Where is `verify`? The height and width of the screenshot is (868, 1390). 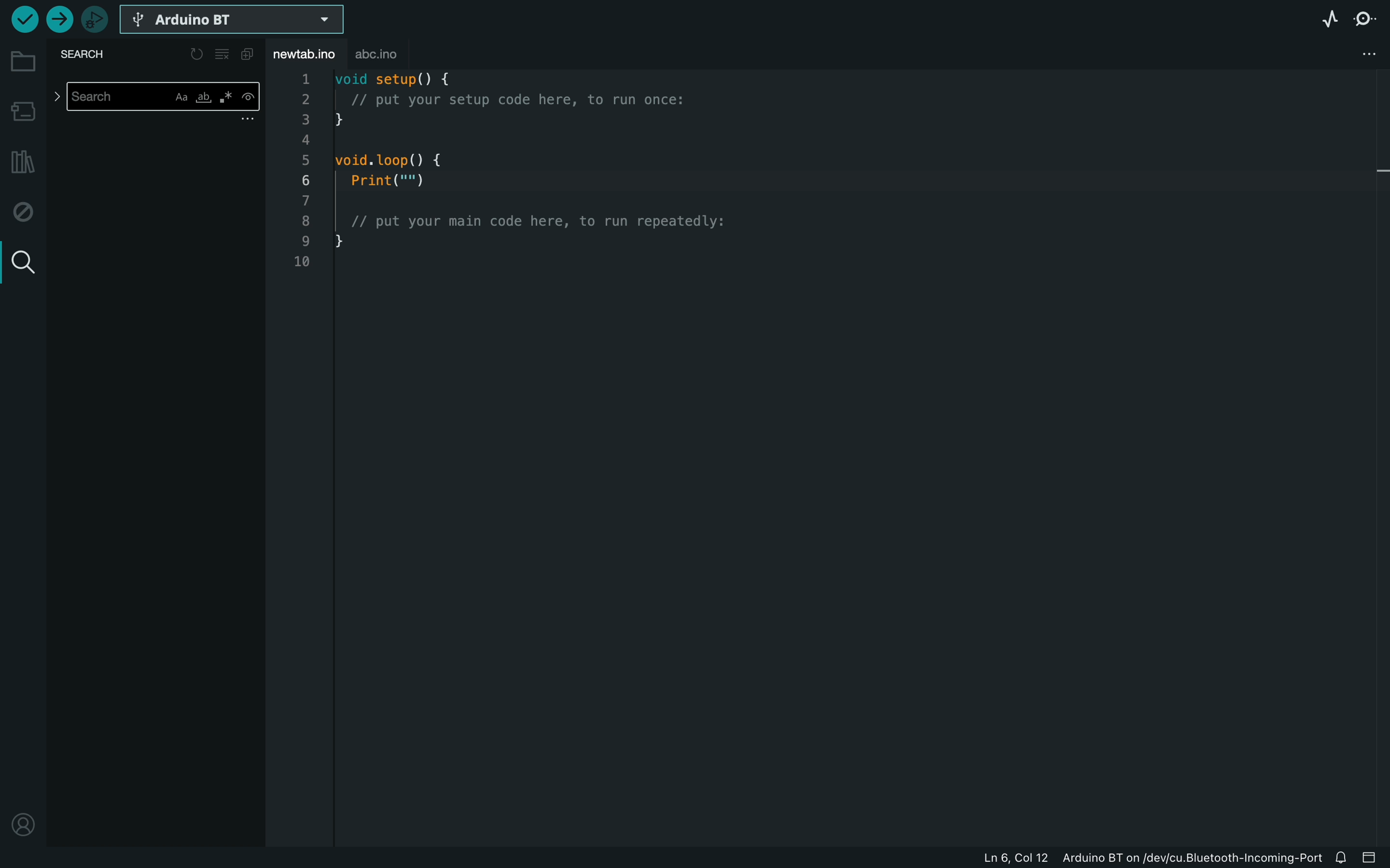 verify is located at coordinates (21, 20).